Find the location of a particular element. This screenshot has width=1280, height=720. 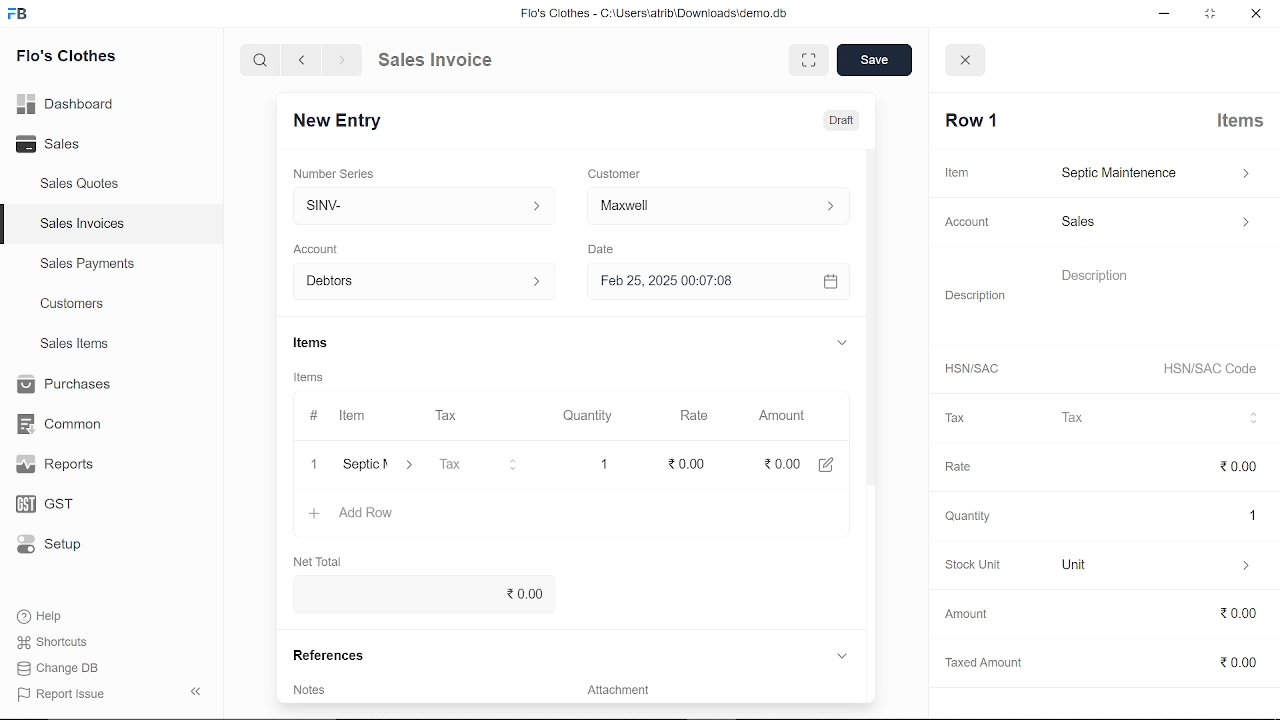

Reports is located at coordinates (60, 465).